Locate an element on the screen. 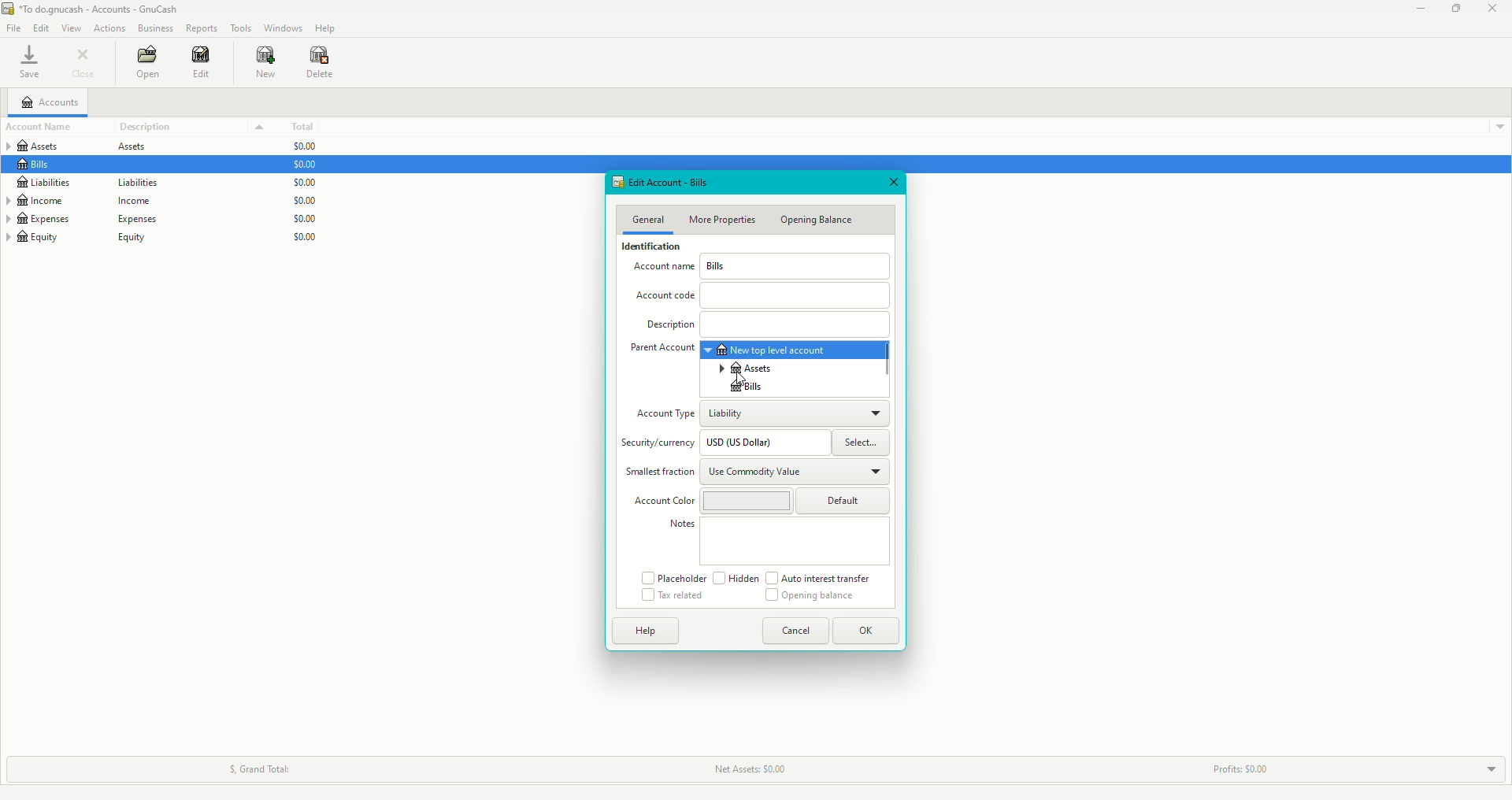  Account type is located at coordinates (662, 415).